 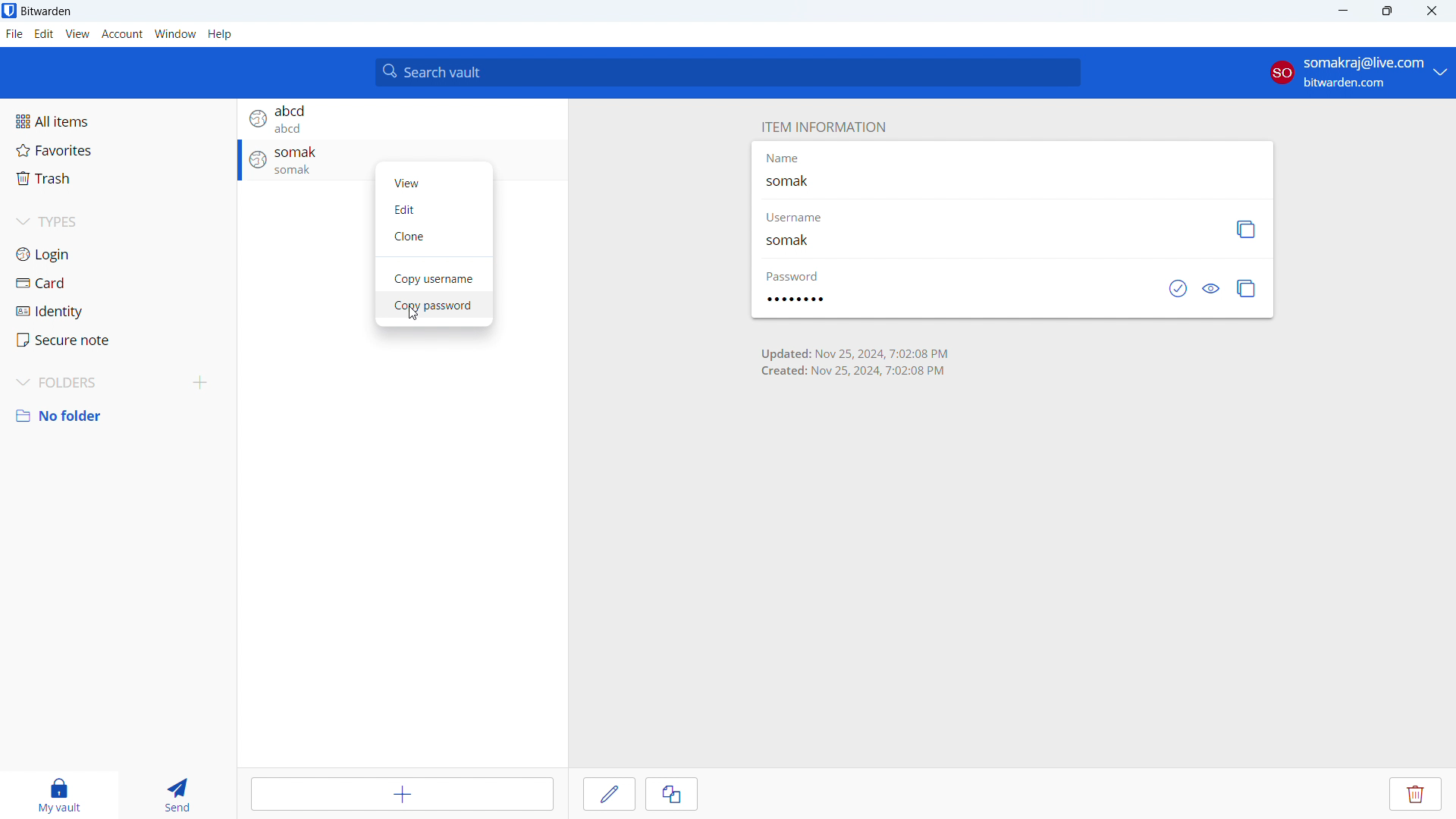 What do you see at coordinates (726, 71) in the screenshot?
I see `search vault` at bounding box center [726, 71].